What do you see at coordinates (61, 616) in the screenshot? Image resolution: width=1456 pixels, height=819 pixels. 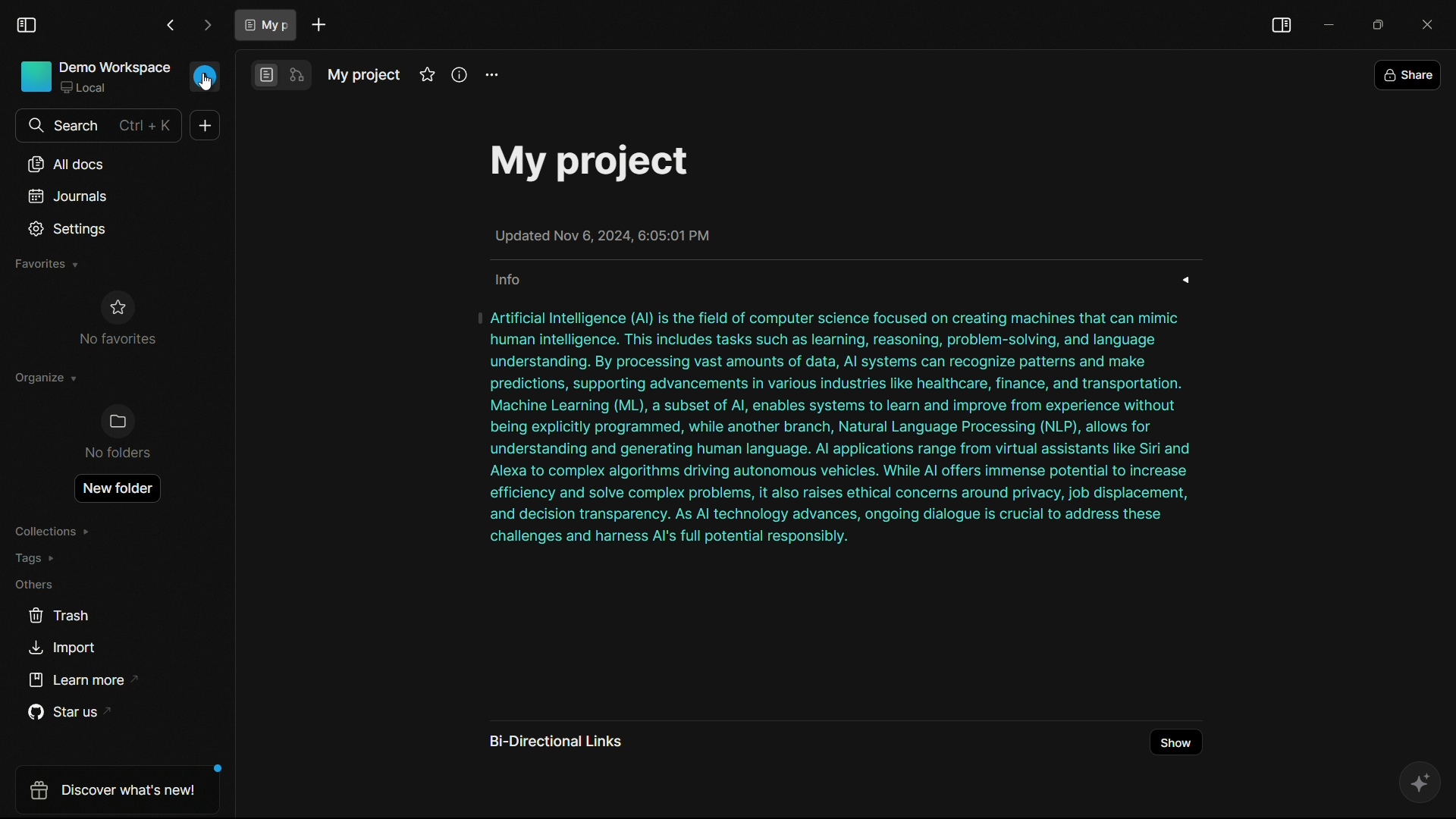 I see `trash` at bounding box center [61, 616].